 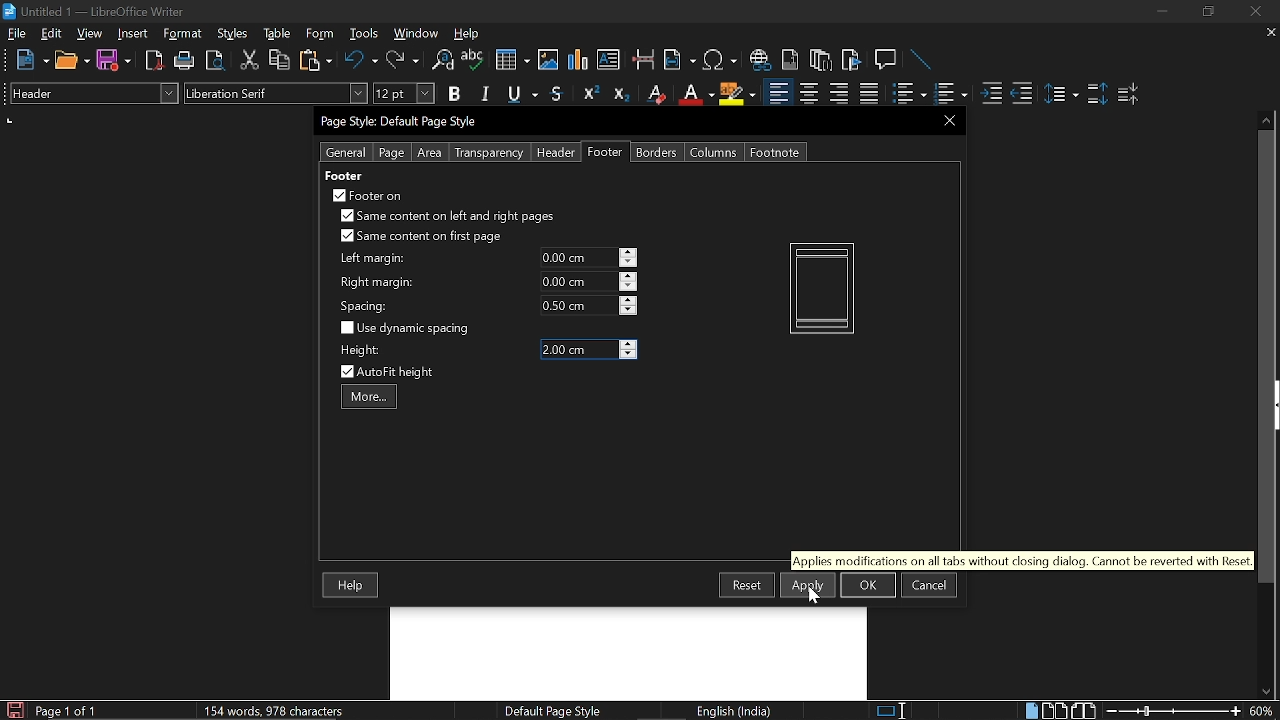 I want to click on Insert endnote, so click(x=790, y=60).